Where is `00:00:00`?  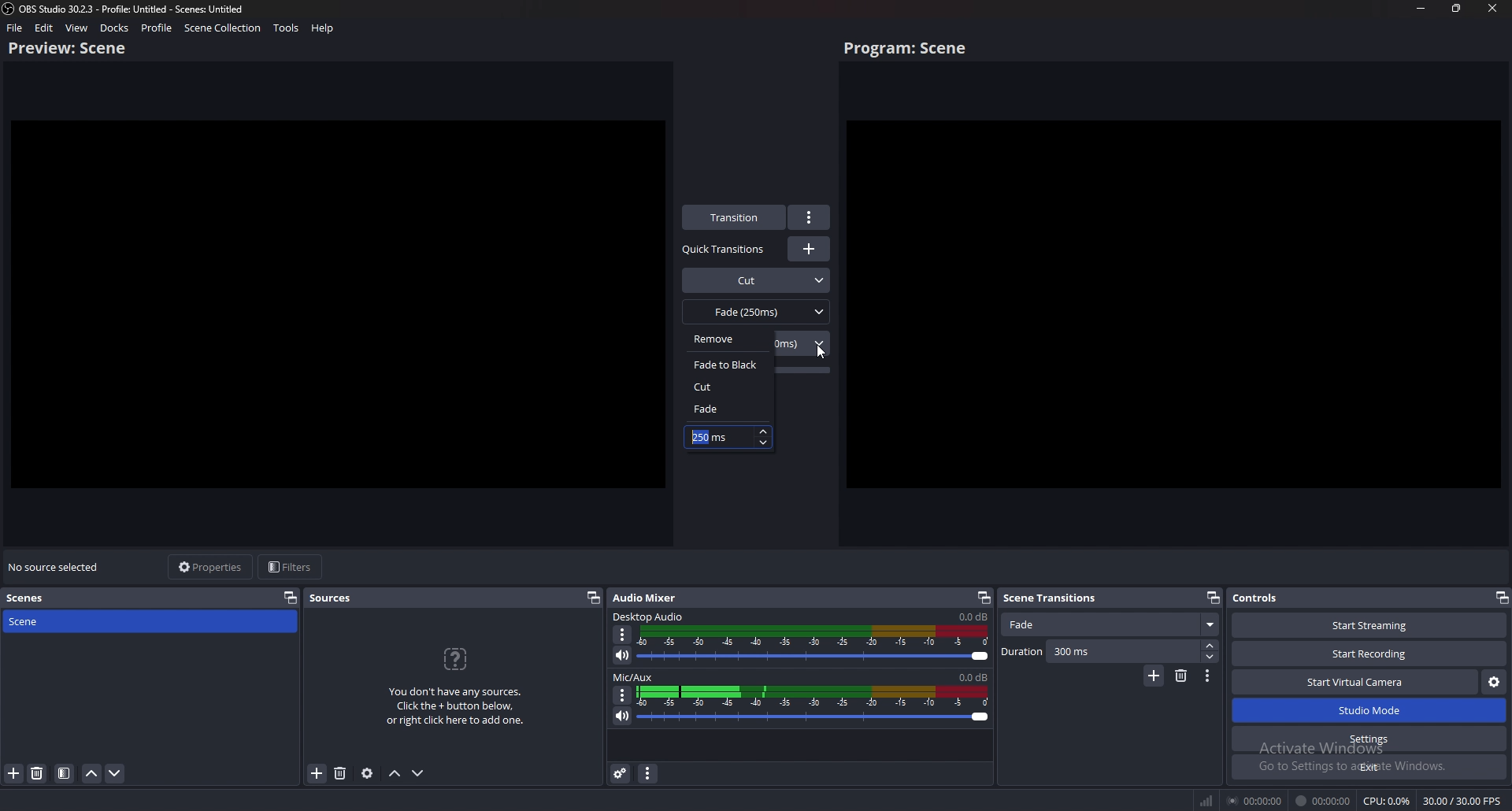 00:00:00 is located at coordinates (1253, 802).